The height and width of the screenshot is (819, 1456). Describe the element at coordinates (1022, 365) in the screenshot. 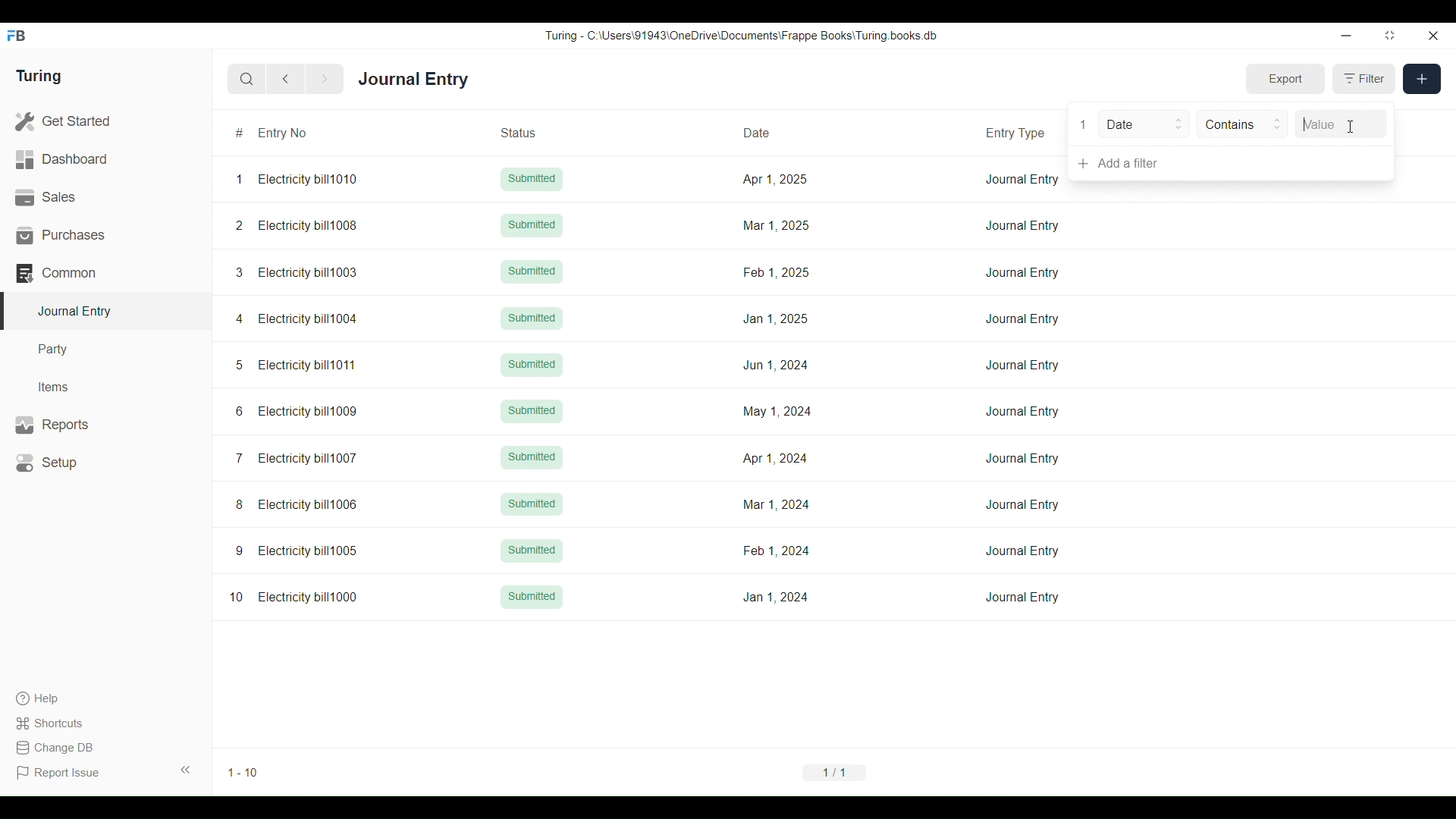

I see `Journal Entry` at that location.